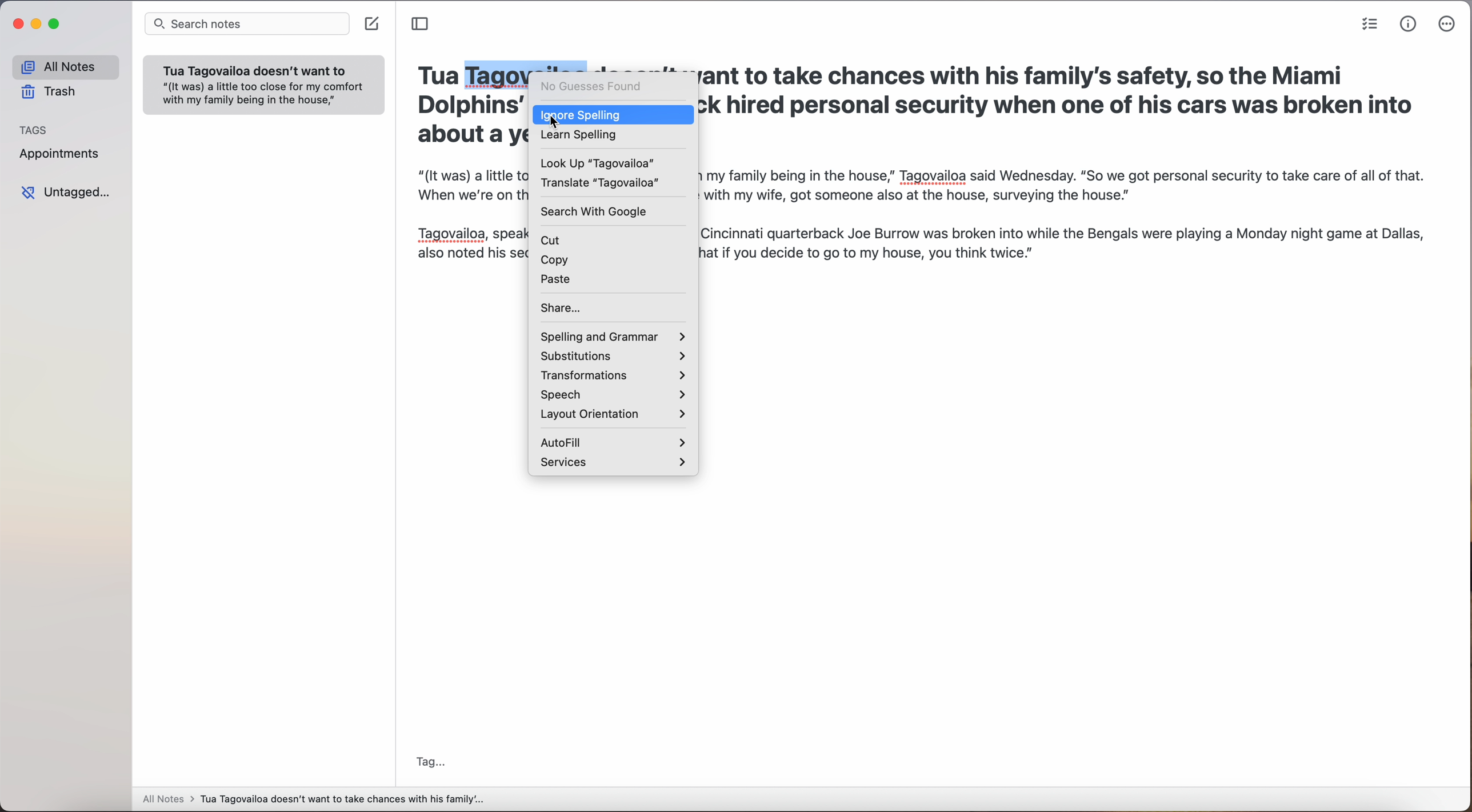  What do you see at coordinates (19, 24) in the screenshot?
I see `close Simplenote` at bounding box center [19, 24].